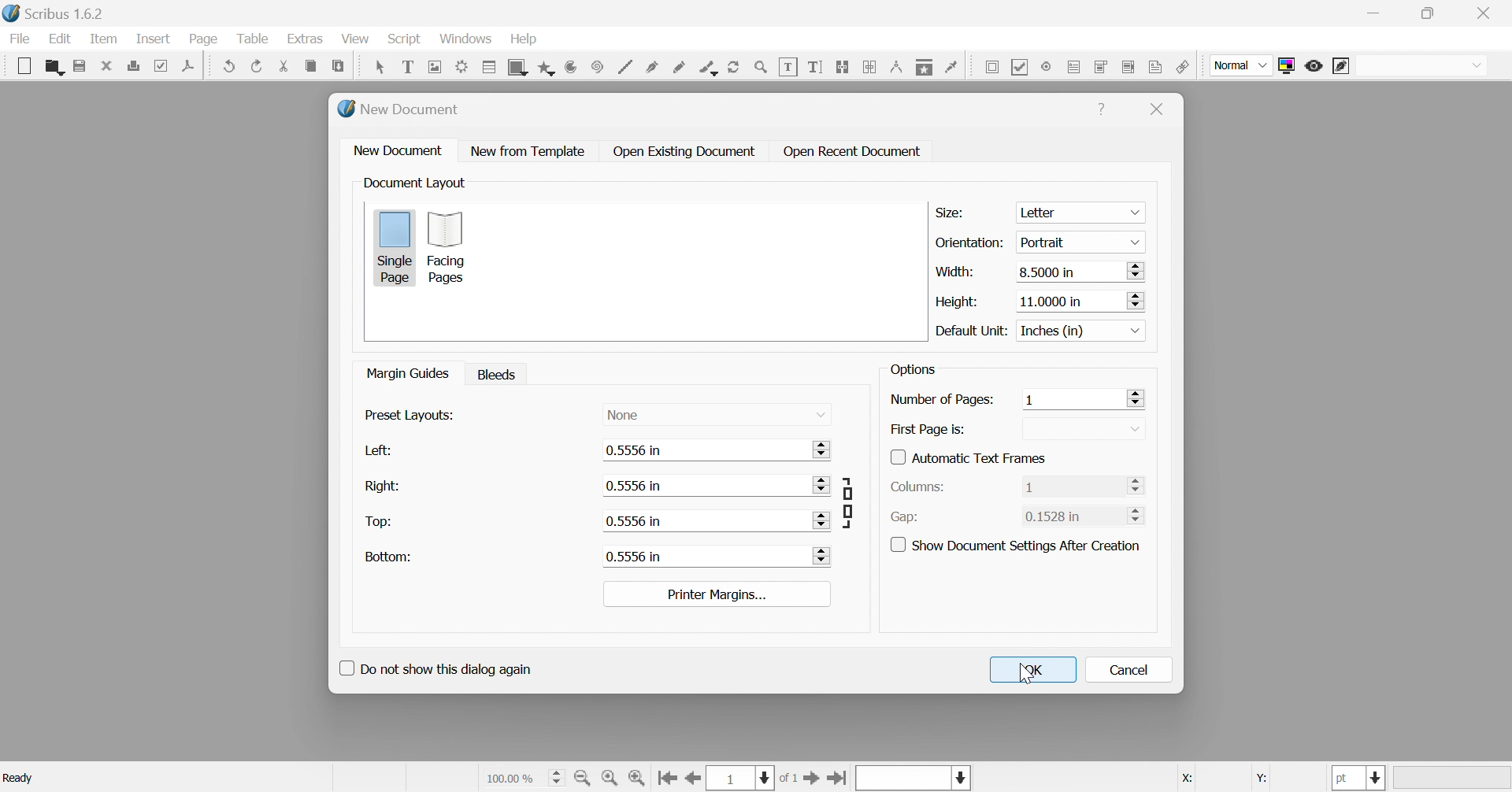 The image size is (1512, 792). I want to click on rotate item, so click(732, 67).